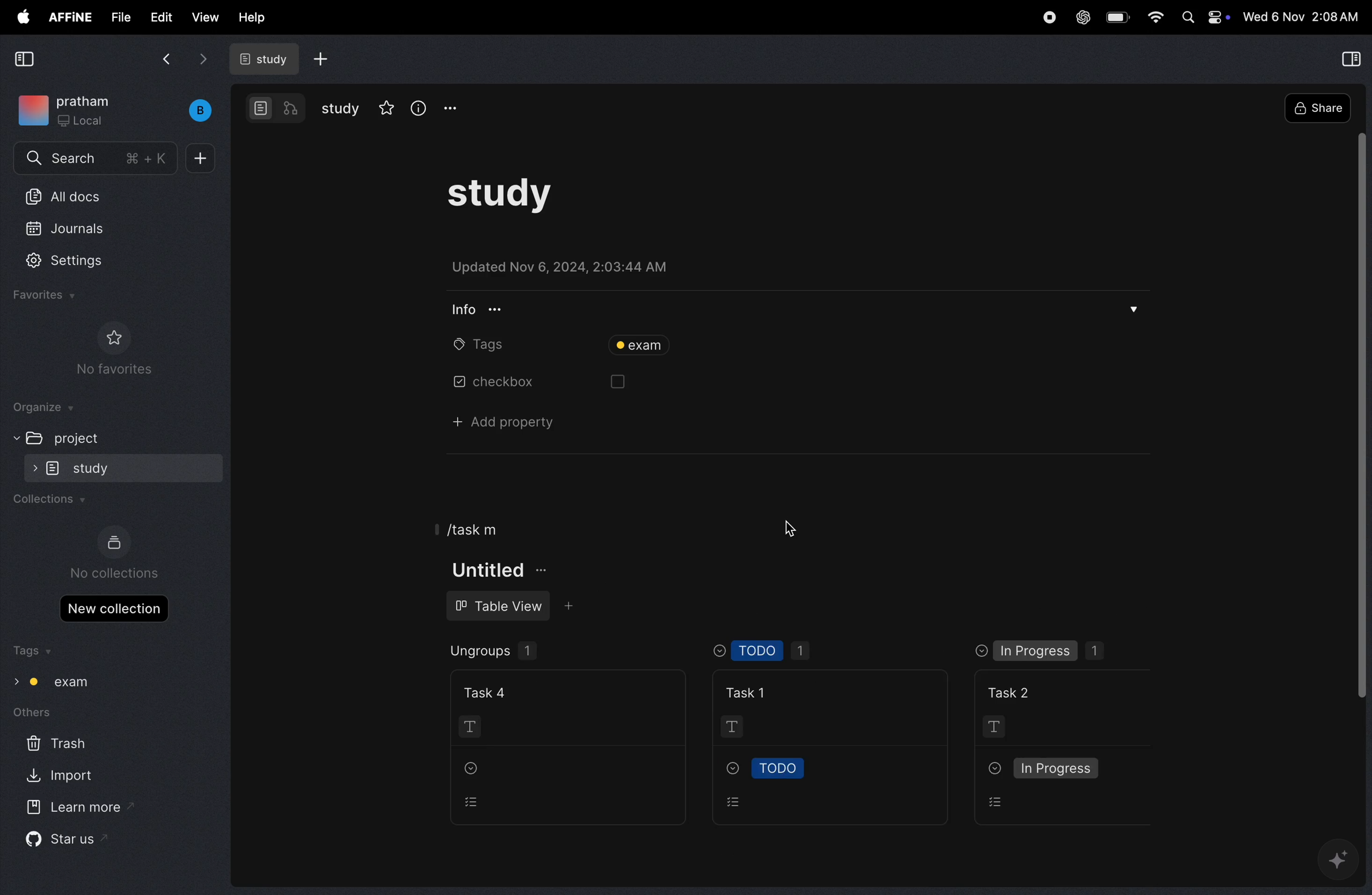 The image size is (1372, 895). What do you see at coordinates (75, 263) in the screenshot?
I see `settings` at bounding box center [75, 263].